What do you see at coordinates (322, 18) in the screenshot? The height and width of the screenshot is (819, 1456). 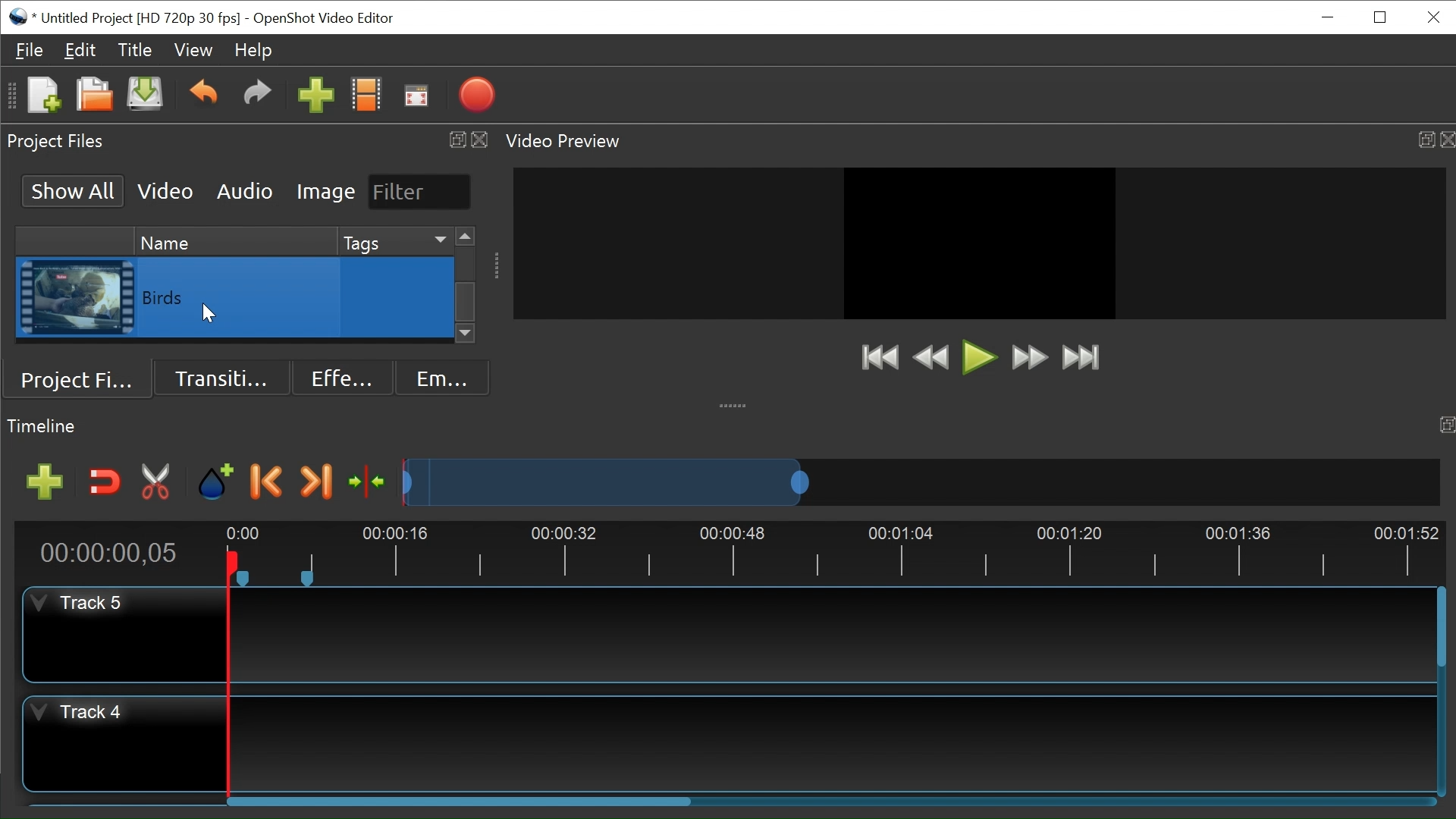 I see `OpenShot Video Editor` at bounding box center [322, 18].